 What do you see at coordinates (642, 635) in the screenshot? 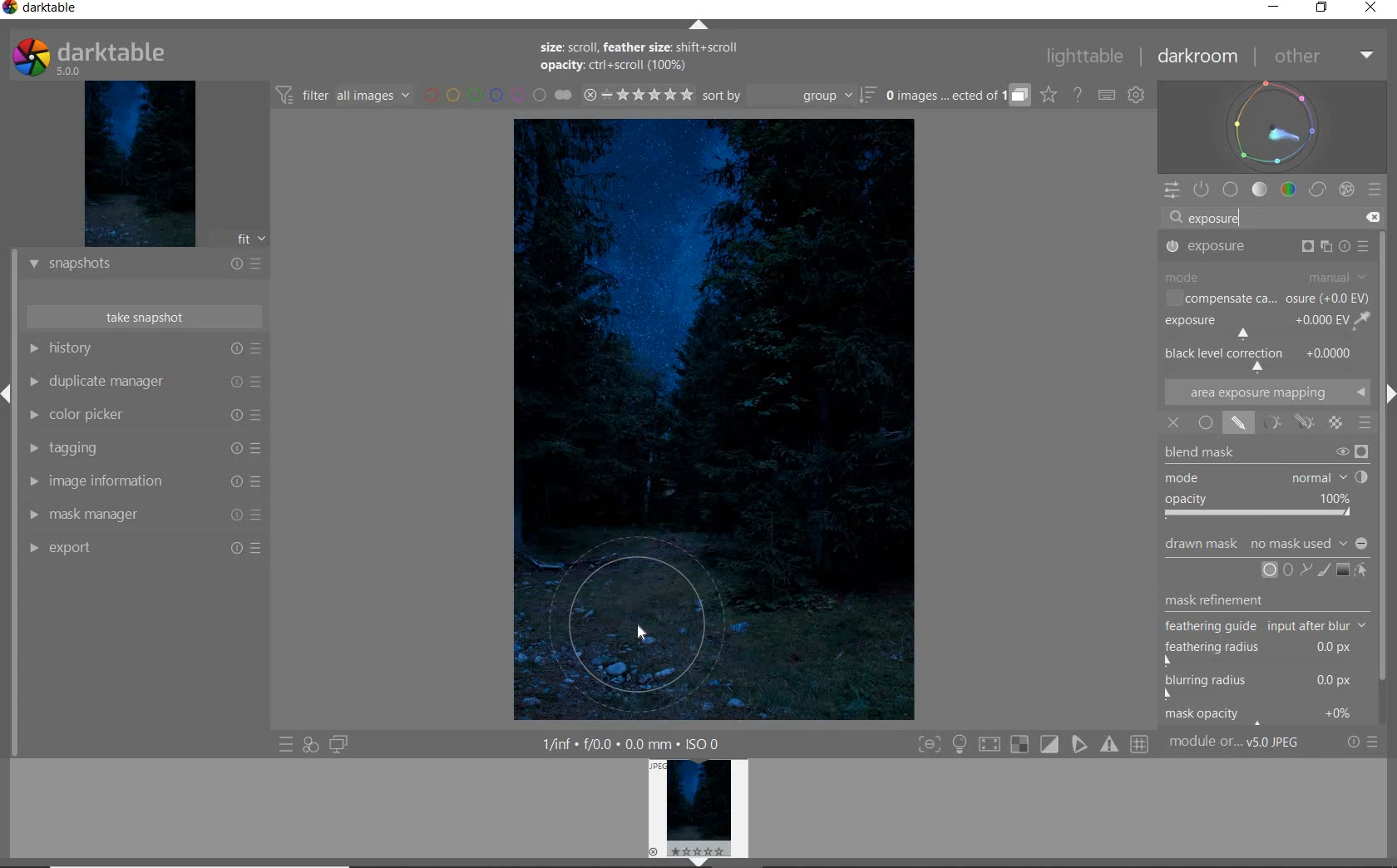
I see `CURSOR` at bounding box center [642, 635].